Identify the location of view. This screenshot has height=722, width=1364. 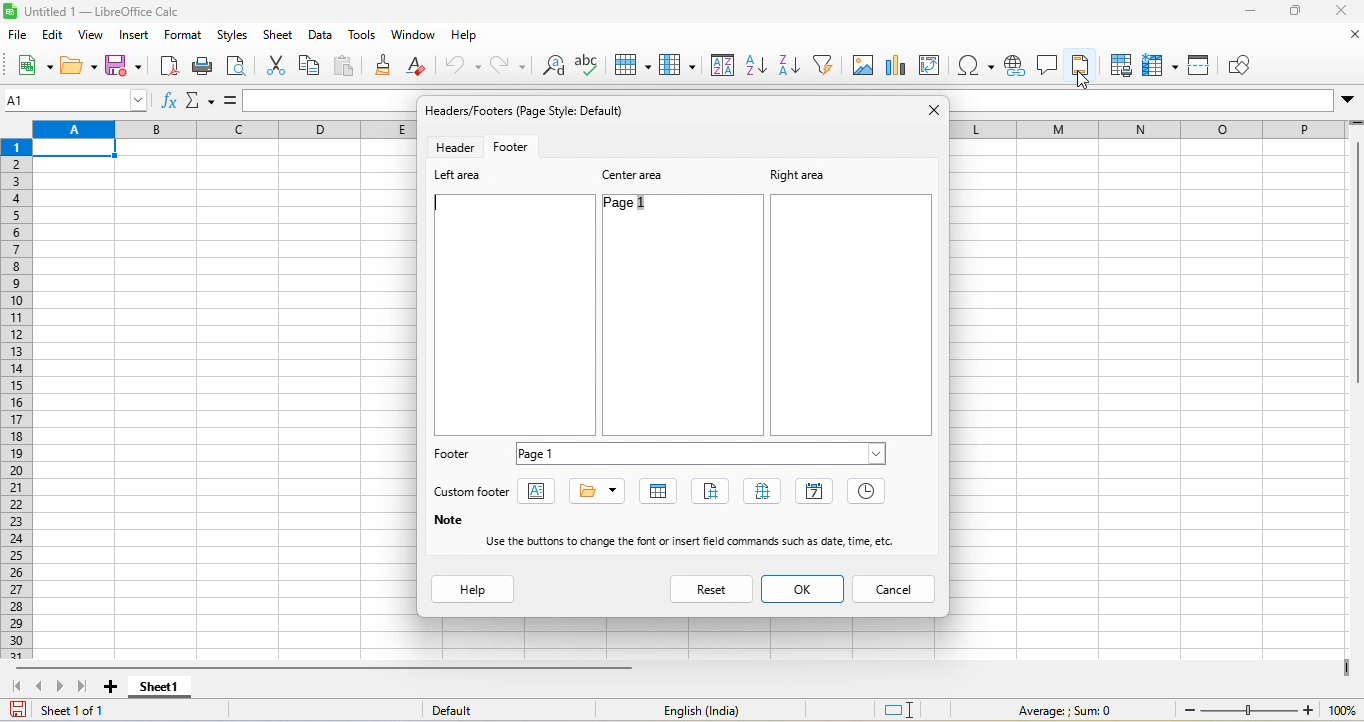
(90, 37).